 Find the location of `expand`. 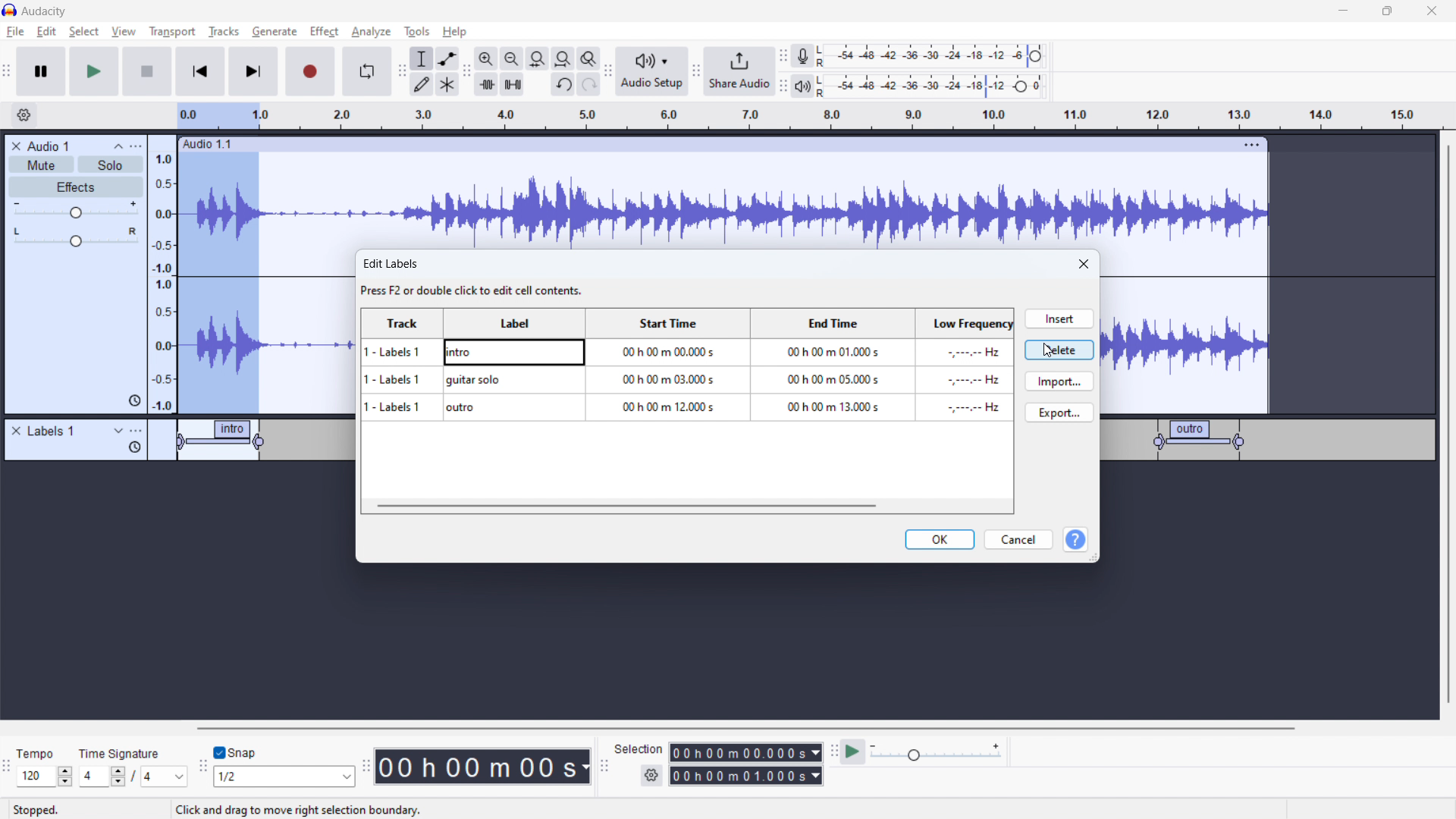

expand is located at coordinates (118, 431).